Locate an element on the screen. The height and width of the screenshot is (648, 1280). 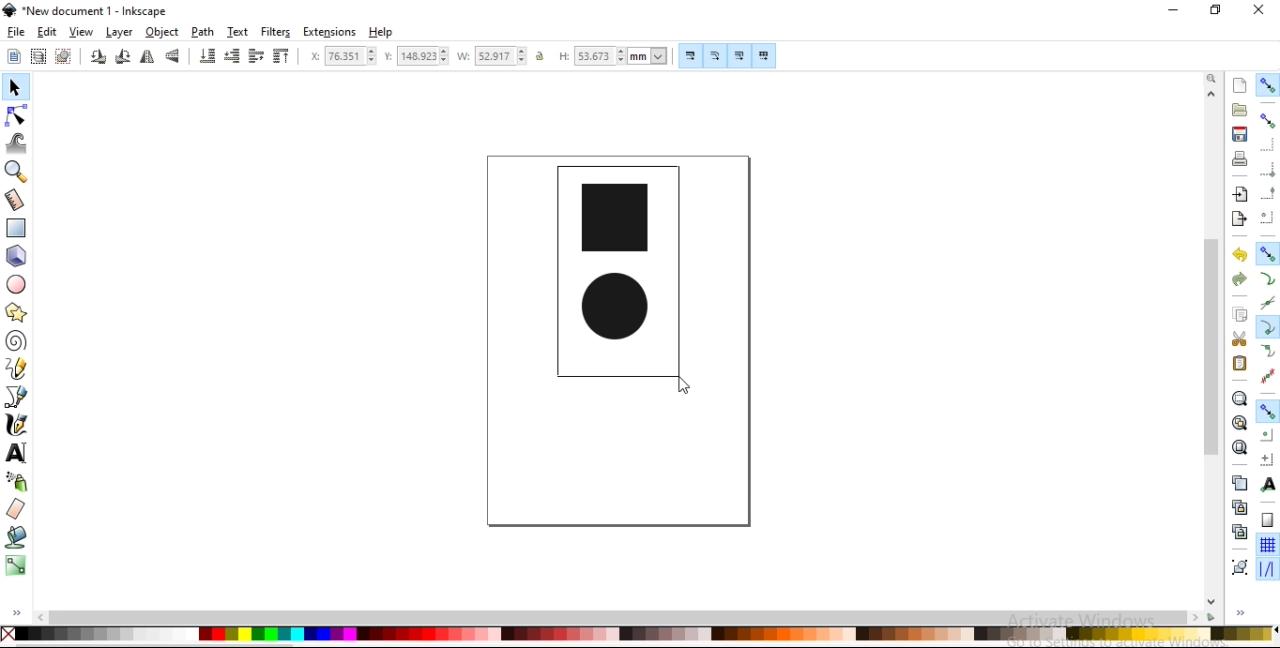
extensions is located at coordinates (329, 33).